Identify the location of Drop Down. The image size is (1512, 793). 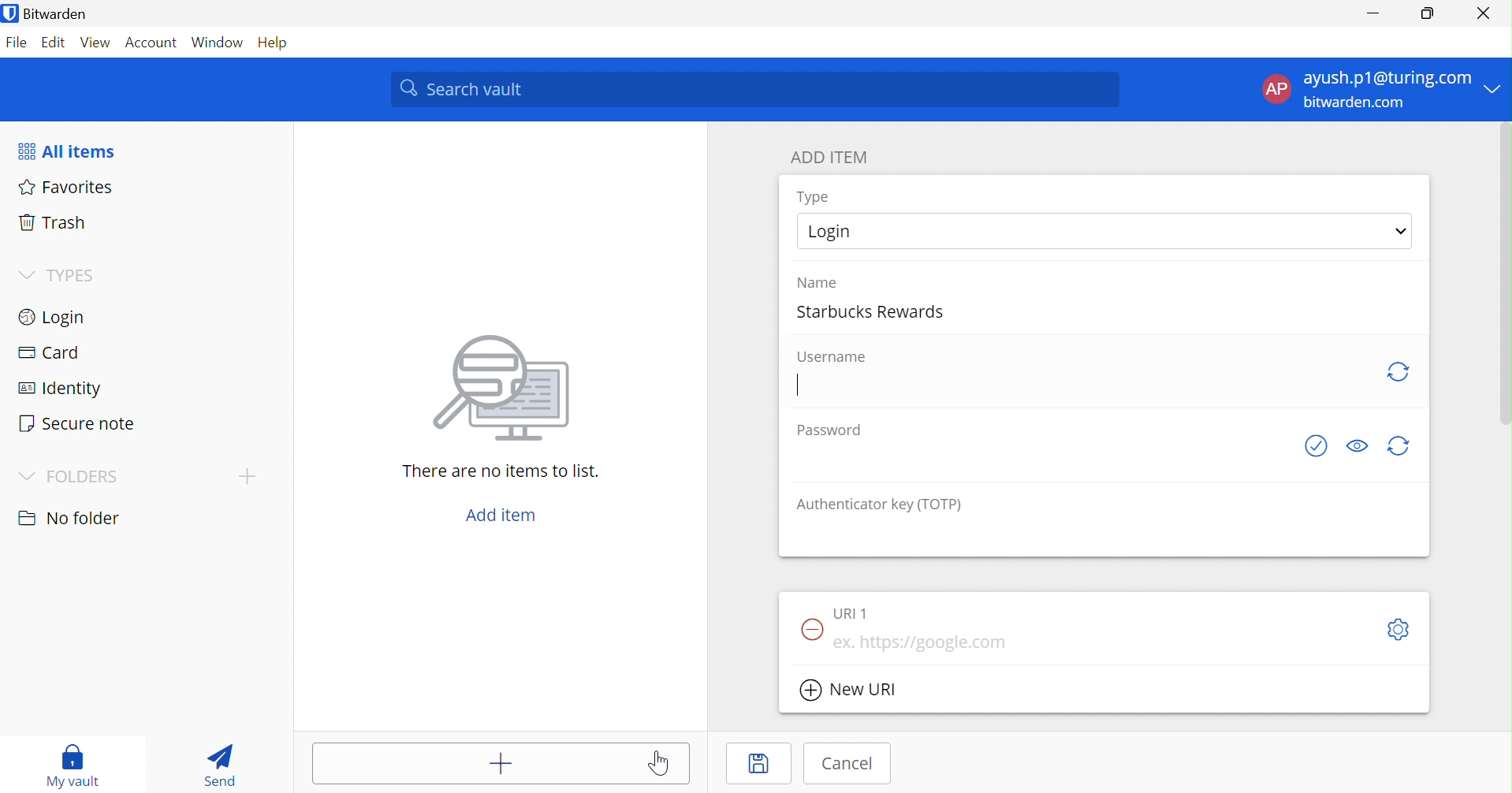
(1403, 232).